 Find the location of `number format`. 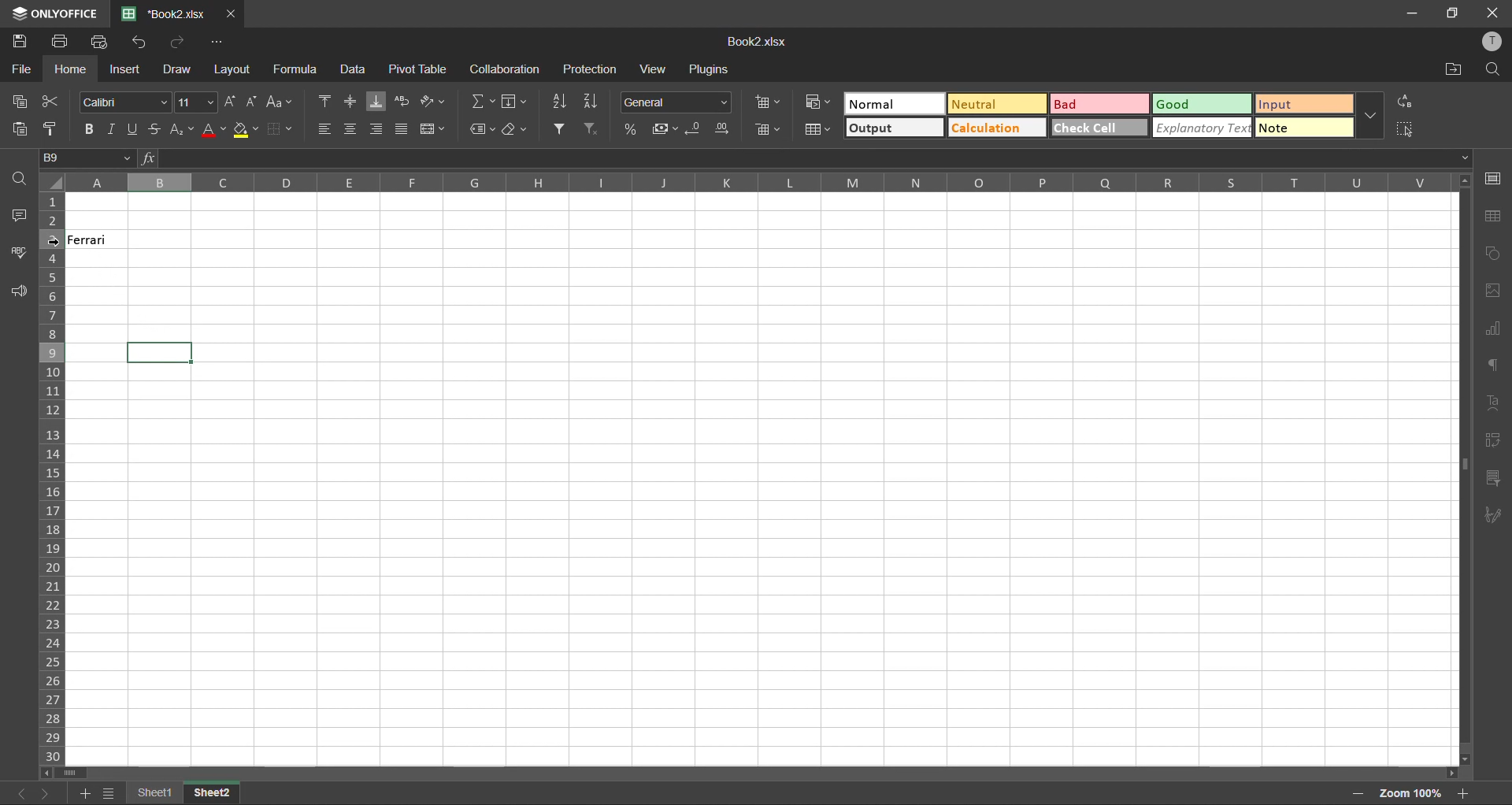

number format is located at coordinates (676, 102).